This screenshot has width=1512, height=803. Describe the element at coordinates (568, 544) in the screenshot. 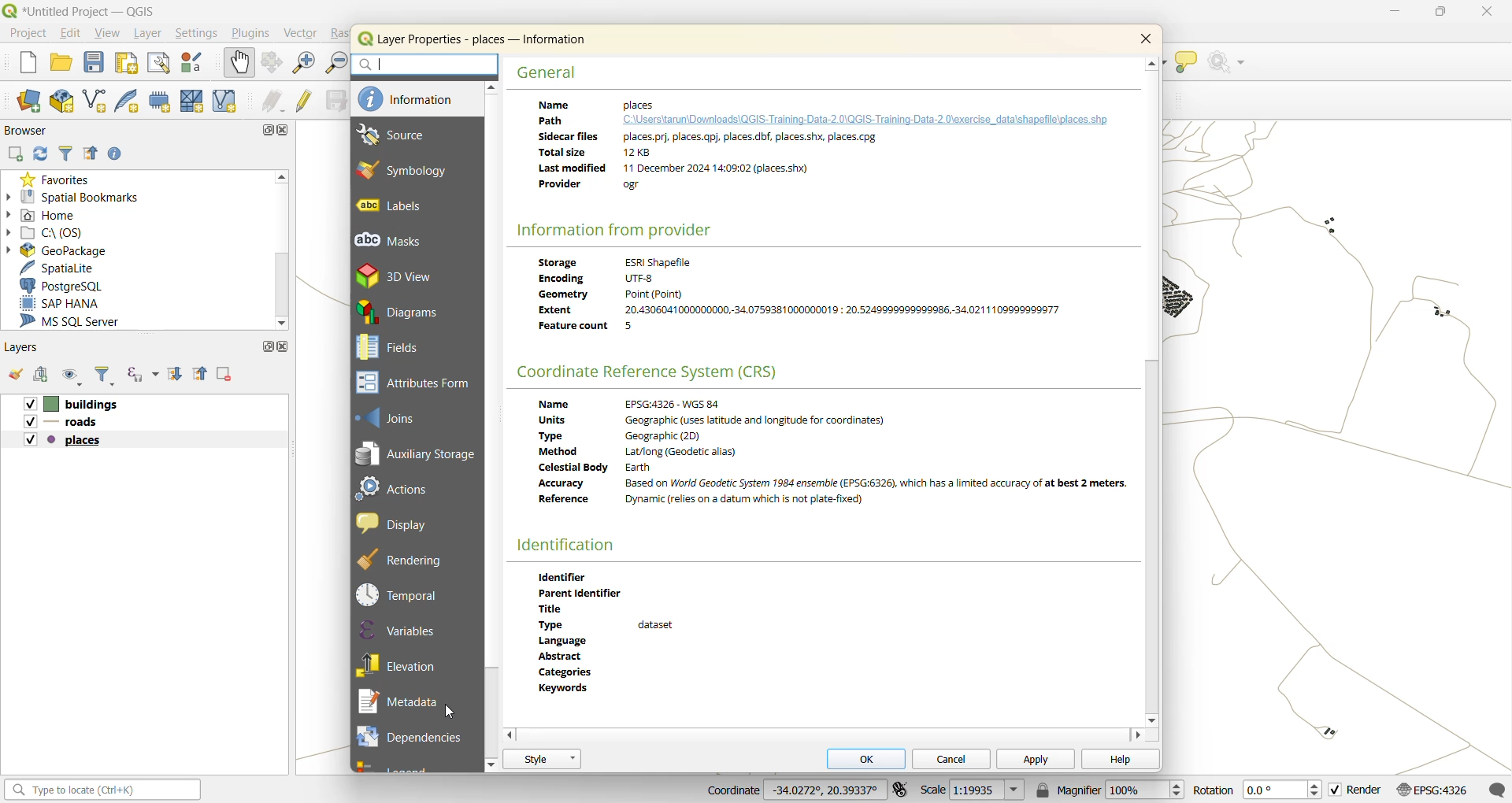

I see `identification` at that location.